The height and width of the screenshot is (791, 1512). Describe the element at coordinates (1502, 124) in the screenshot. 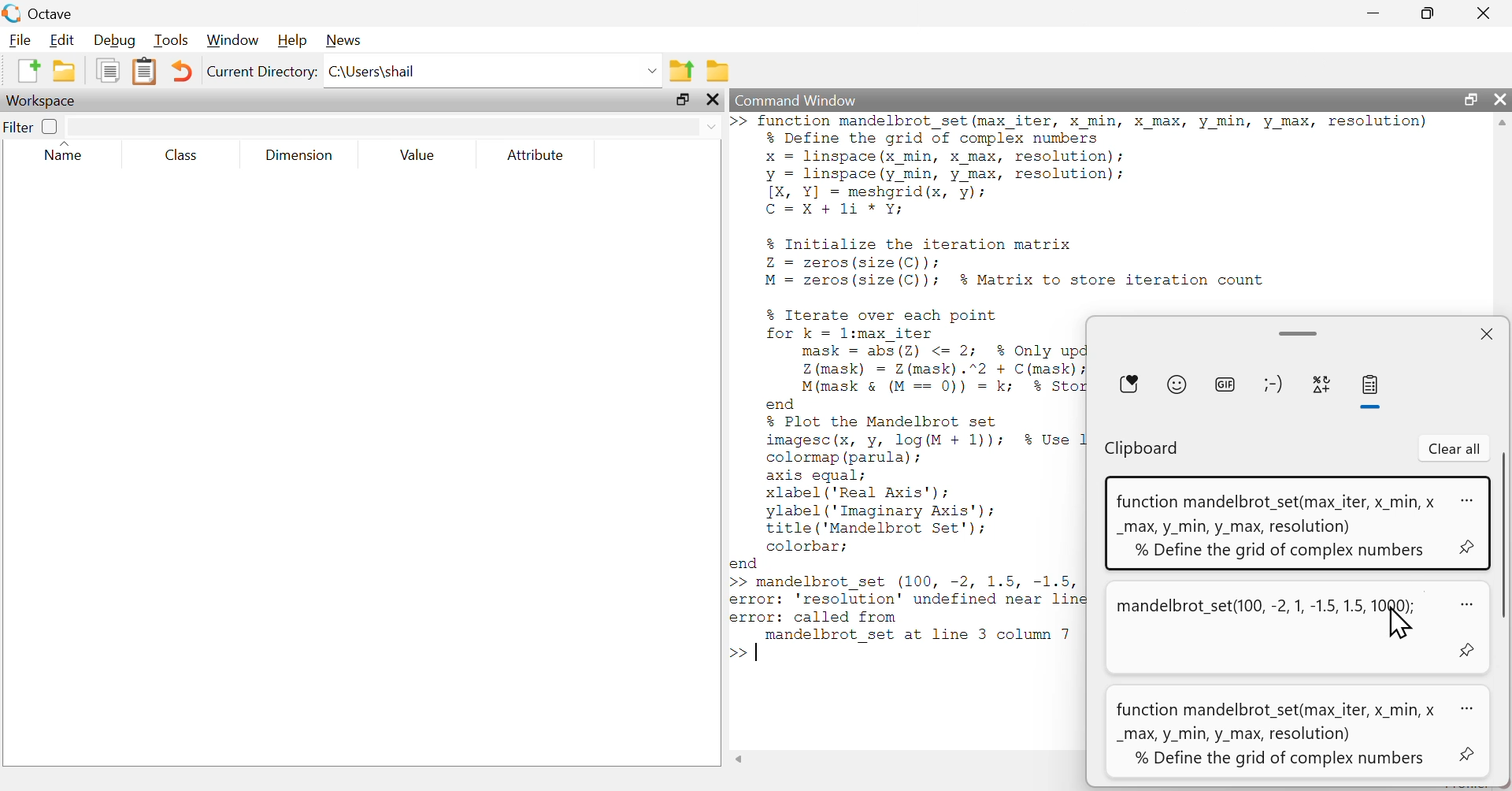

I see `Scrollbar up` at that location.